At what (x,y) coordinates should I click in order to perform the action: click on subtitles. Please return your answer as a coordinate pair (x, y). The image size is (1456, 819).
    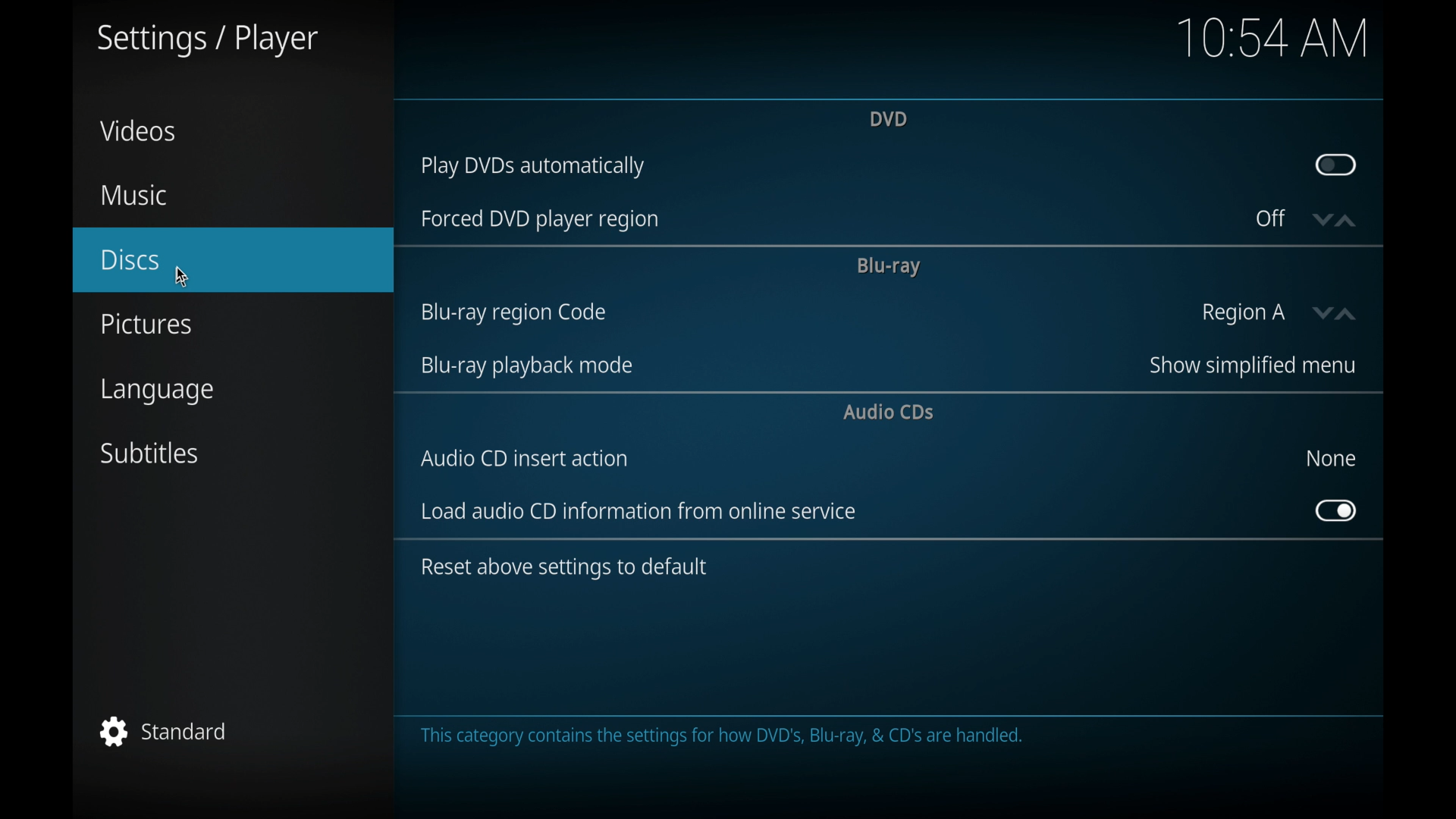
    Looking at the image, I should click on (151, 453).